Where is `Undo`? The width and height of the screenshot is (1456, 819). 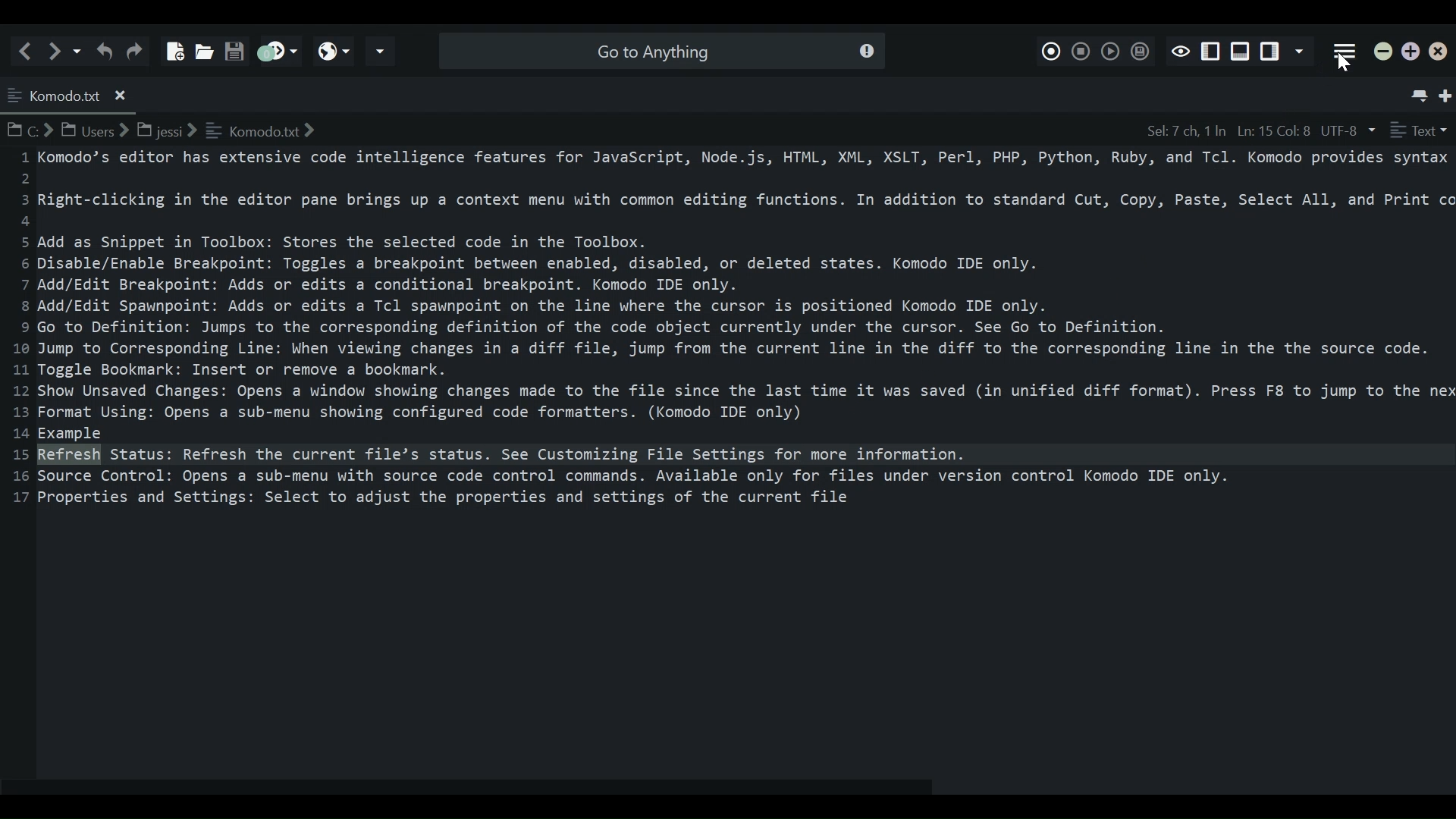
Undo is located at coordinates (104, 50).